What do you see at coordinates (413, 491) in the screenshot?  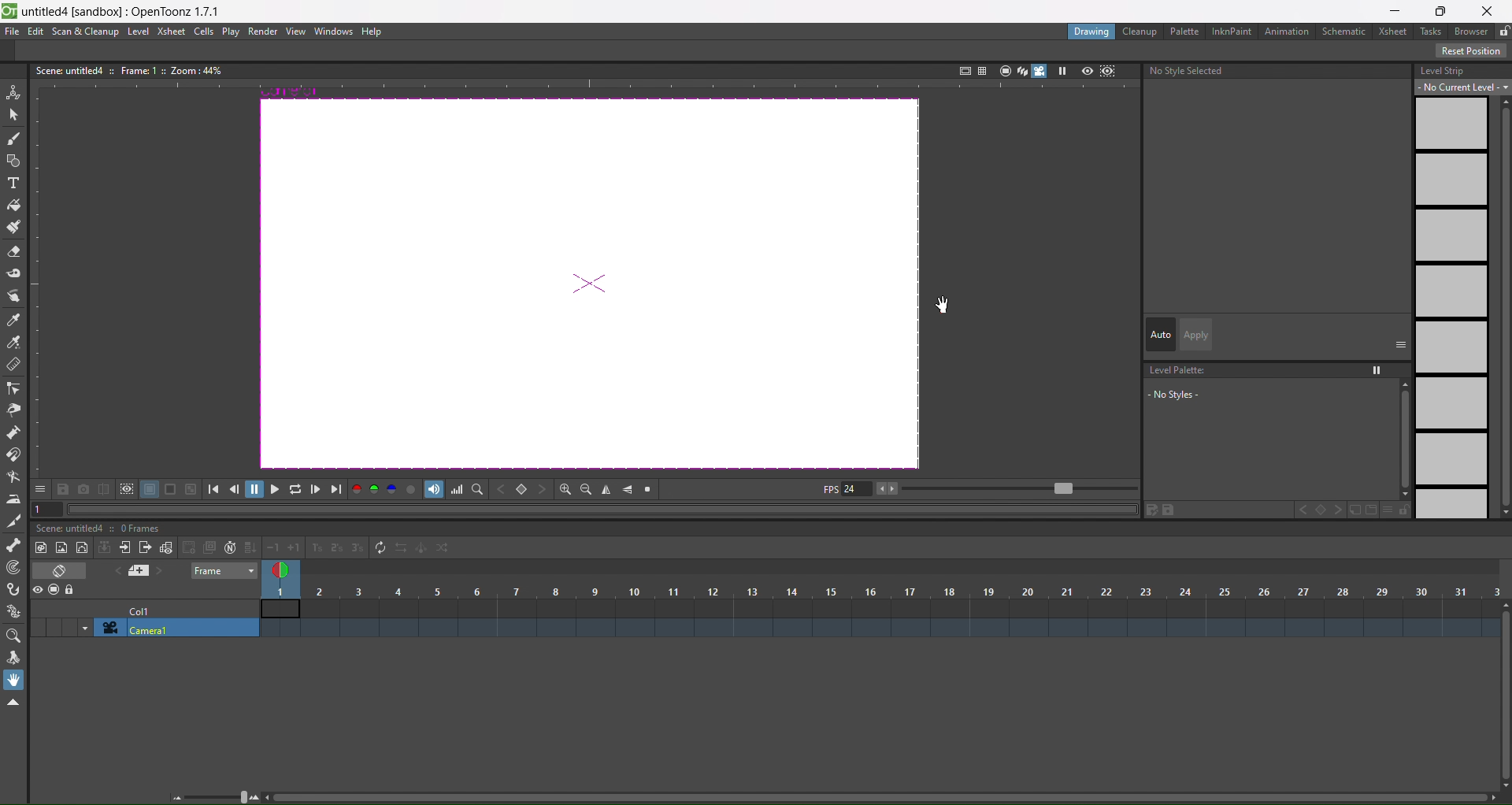 I see `channel` at bounding box center [413, 491].